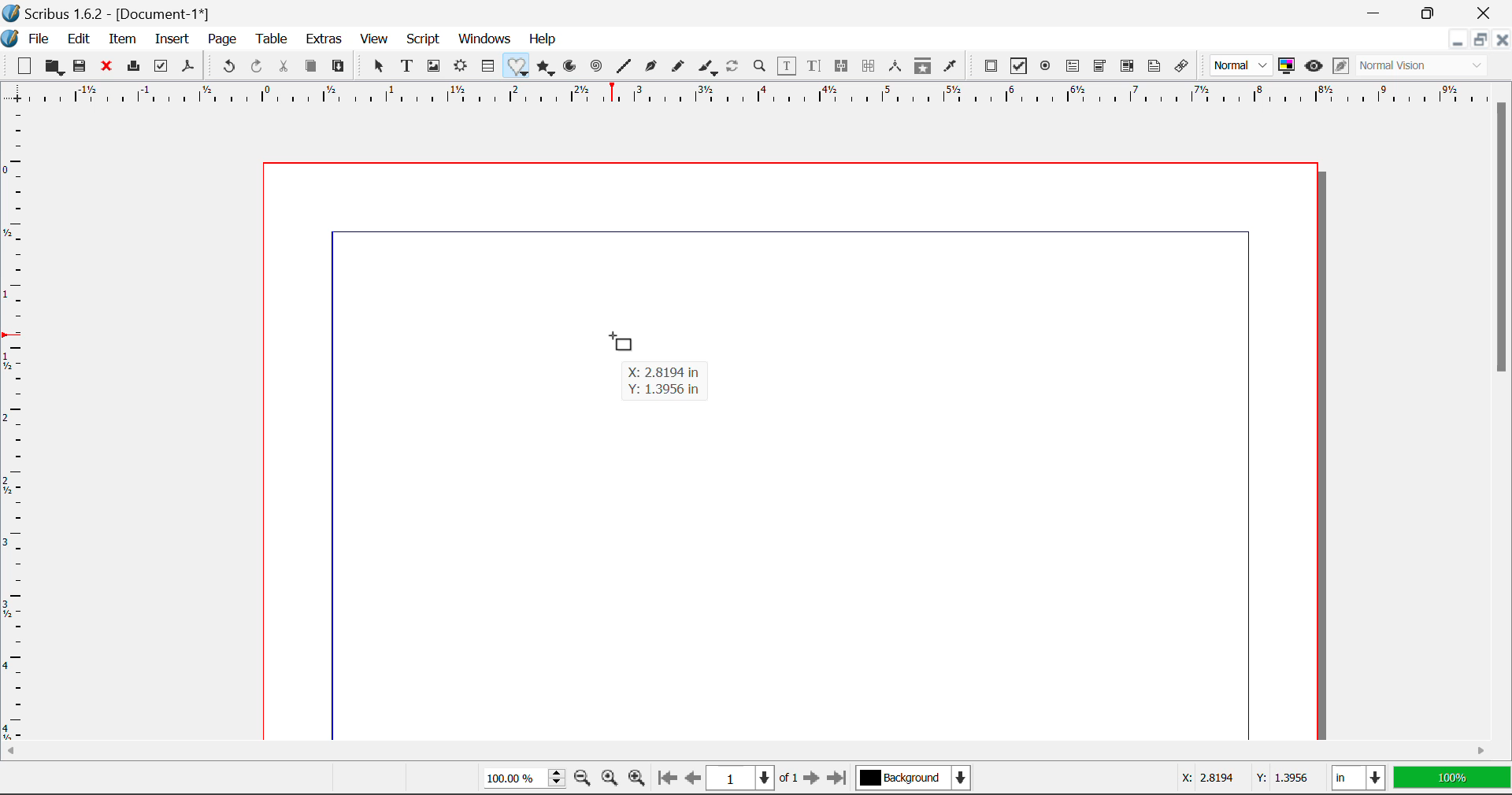 The height and width of the screenshot is (795, 1512). Describe the element at coordinates (991, 66) in the screenshot. I see `Pdf Push Button` at that location.